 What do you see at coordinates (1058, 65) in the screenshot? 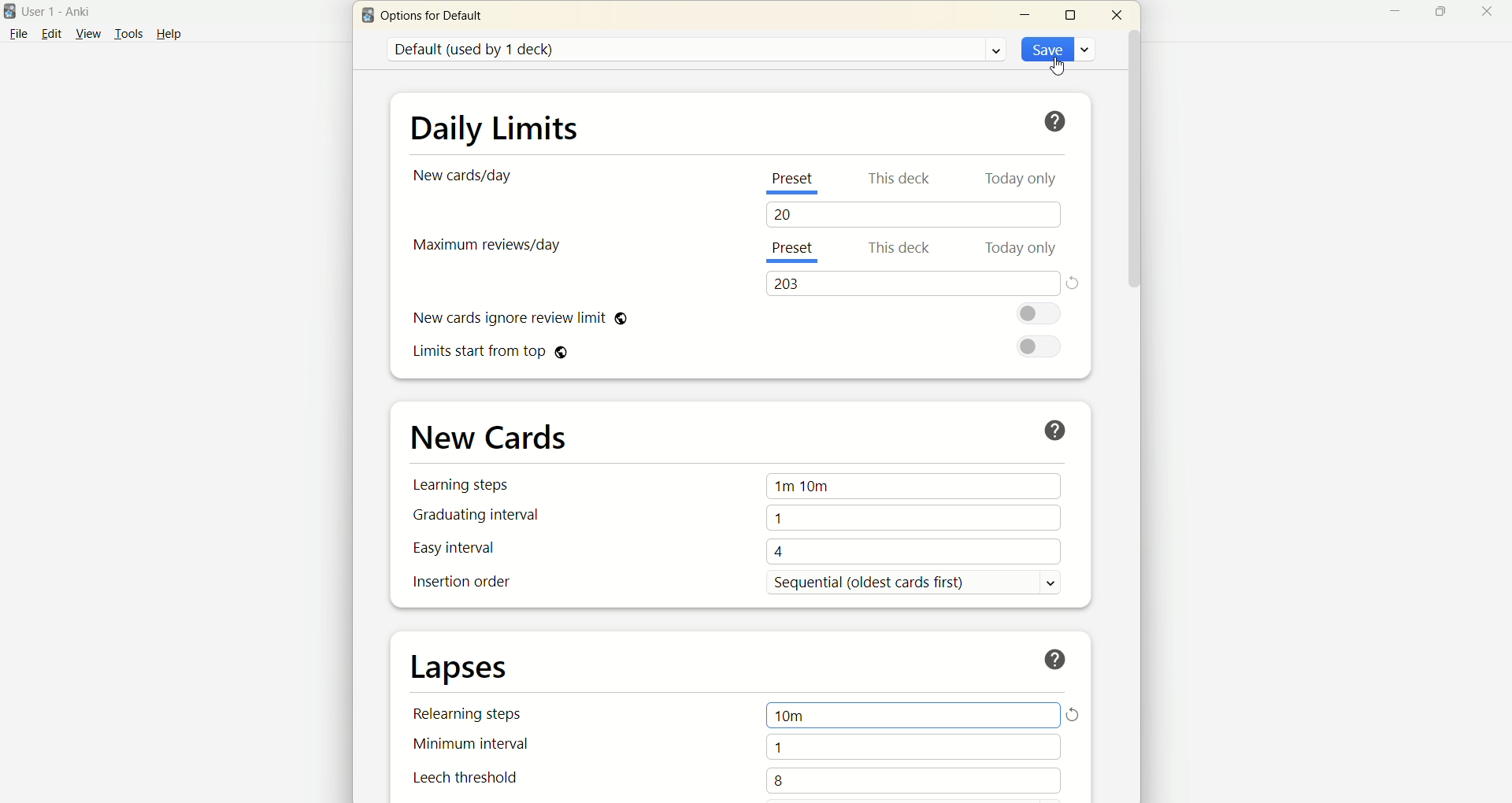
I see `cursor` at bounding box center [1058, 65].